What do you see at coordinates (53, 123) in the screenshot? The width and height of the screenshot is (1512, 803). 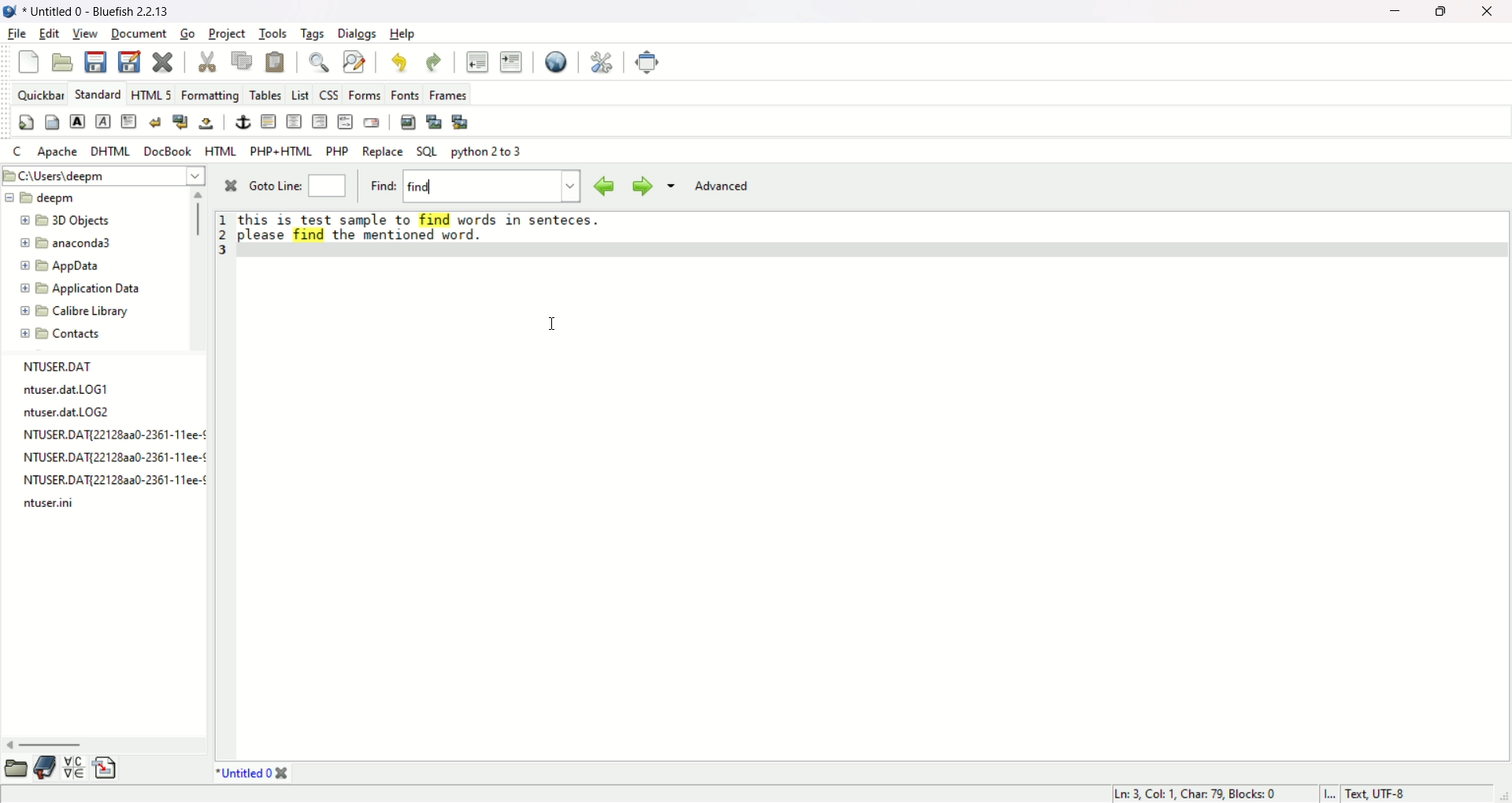 I see `body` at bounding box center [53, 123].